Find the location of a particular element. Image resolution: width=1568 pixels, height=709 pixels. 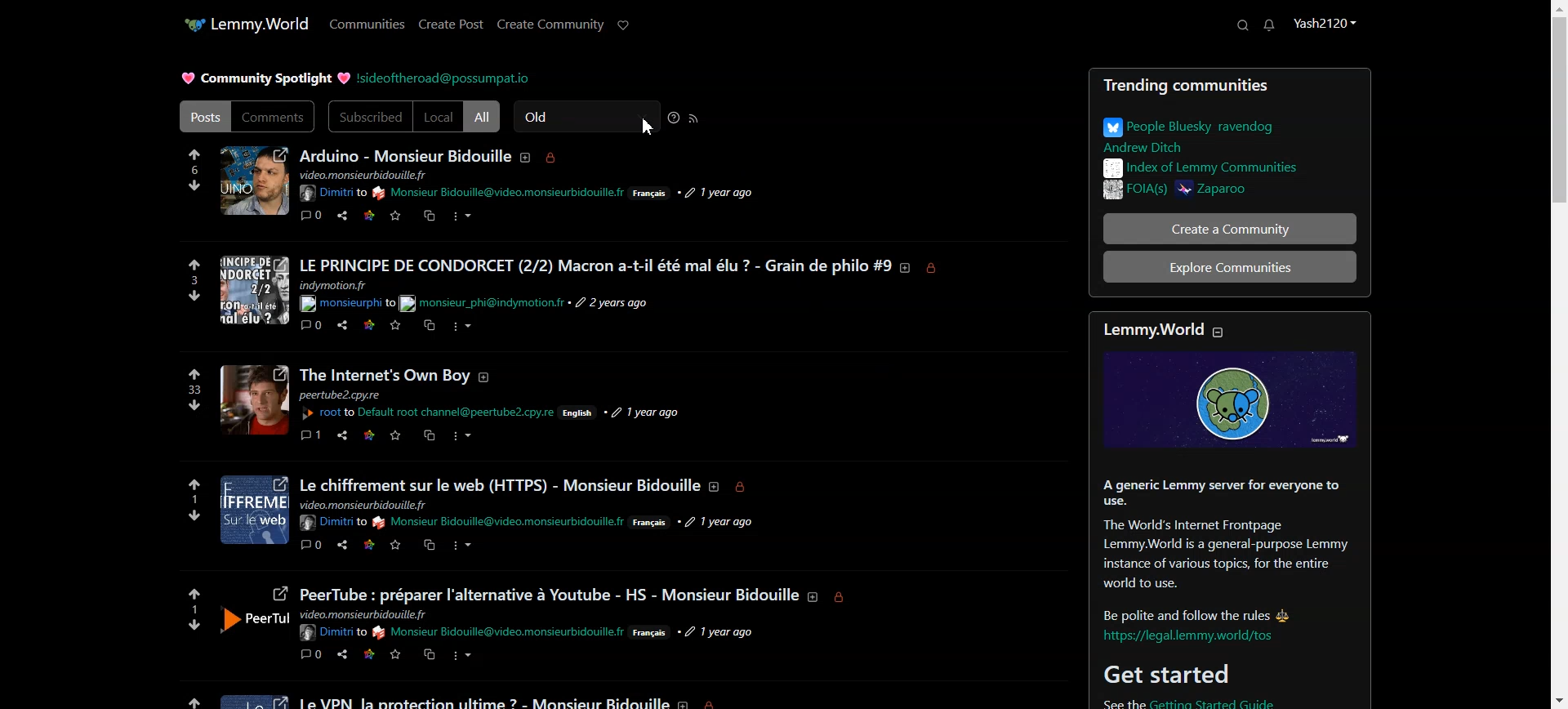

 is located at coordinates (488, 377).